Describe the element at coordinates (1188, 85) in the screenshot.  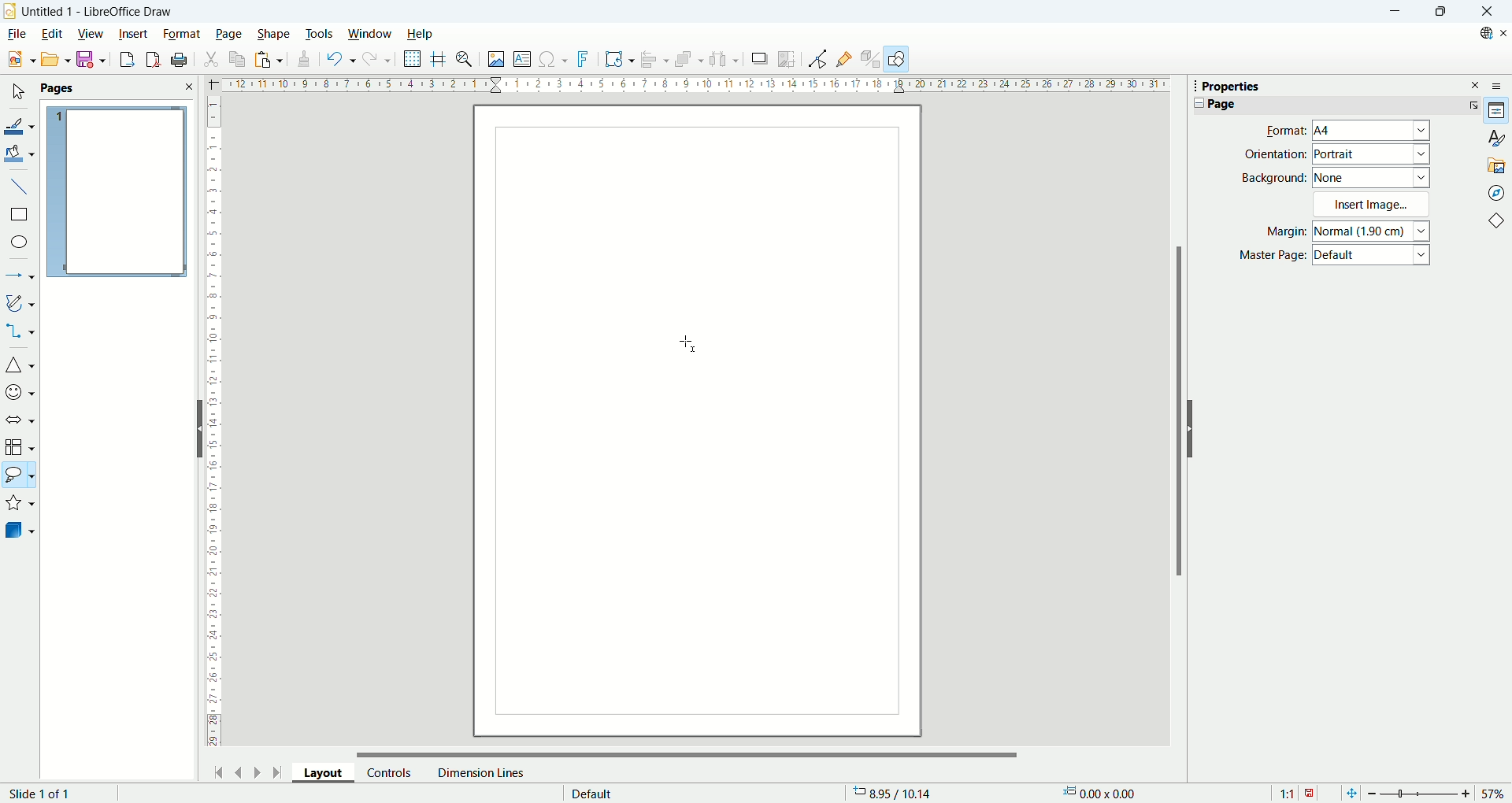
I see `Tooltip drag` at that location.